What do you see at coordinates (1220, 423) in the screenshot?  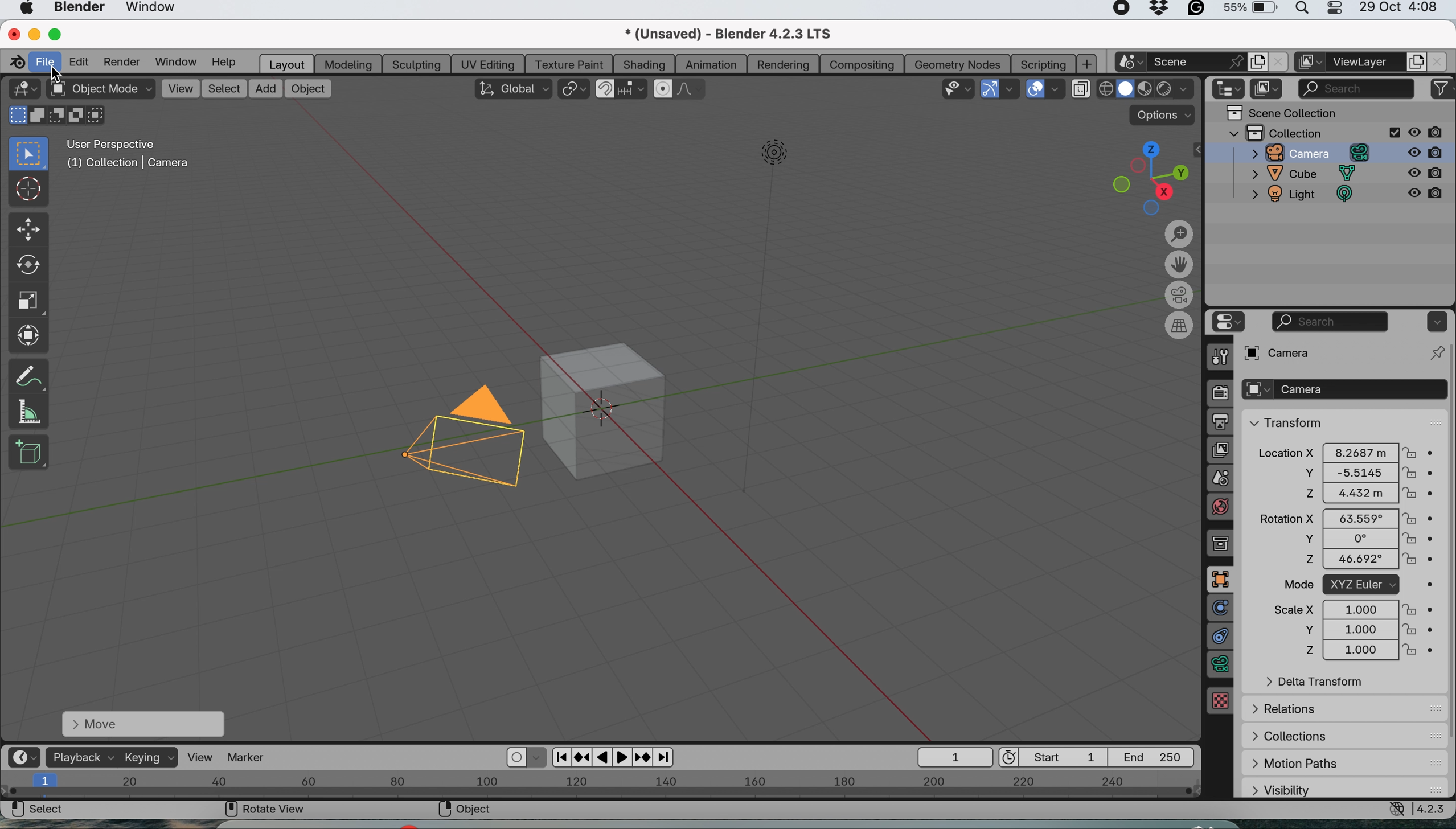 I see `output` at bounding box center [1220, 423].